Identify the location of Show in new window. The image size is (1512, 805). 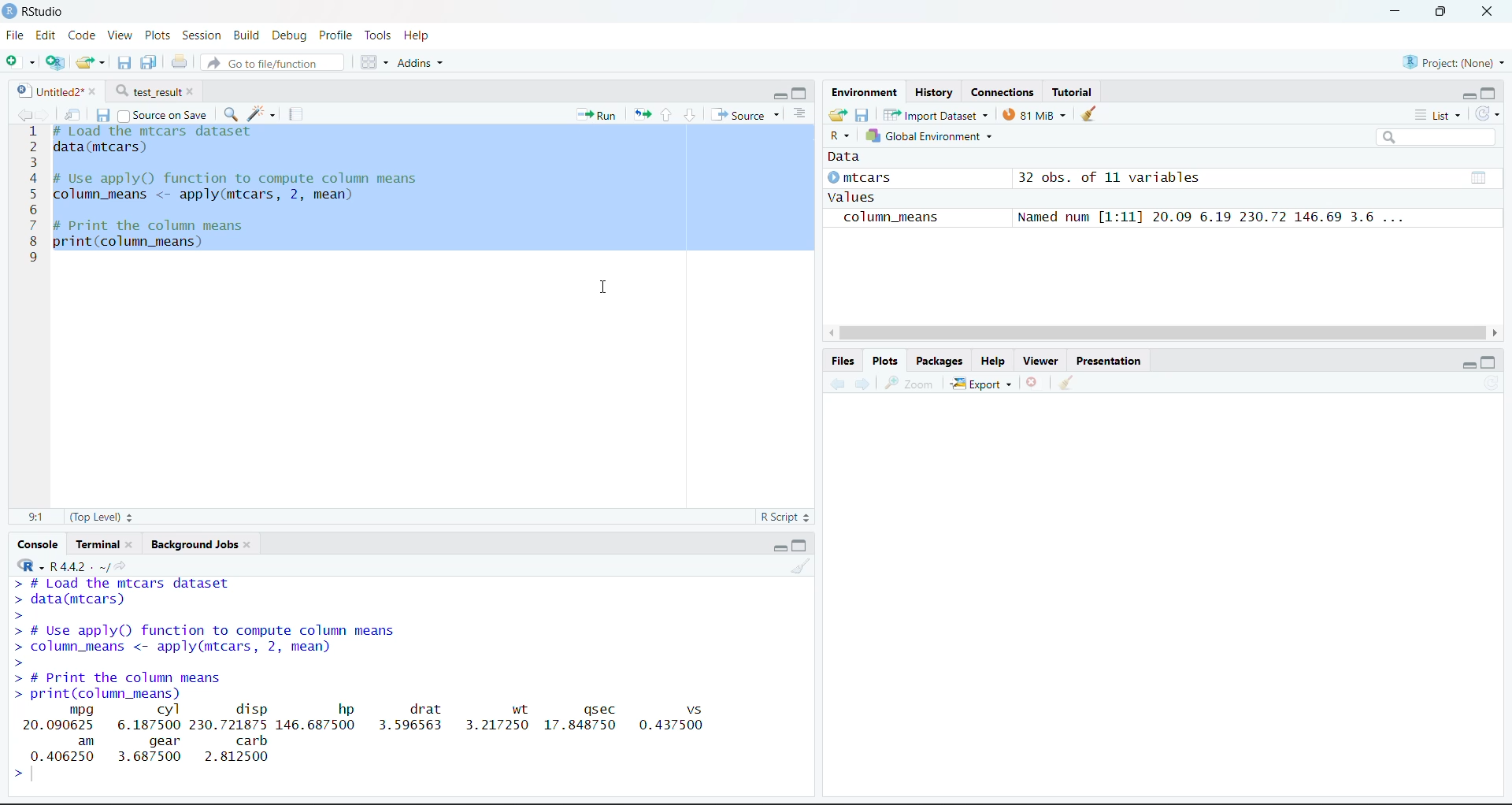
(77, 113).